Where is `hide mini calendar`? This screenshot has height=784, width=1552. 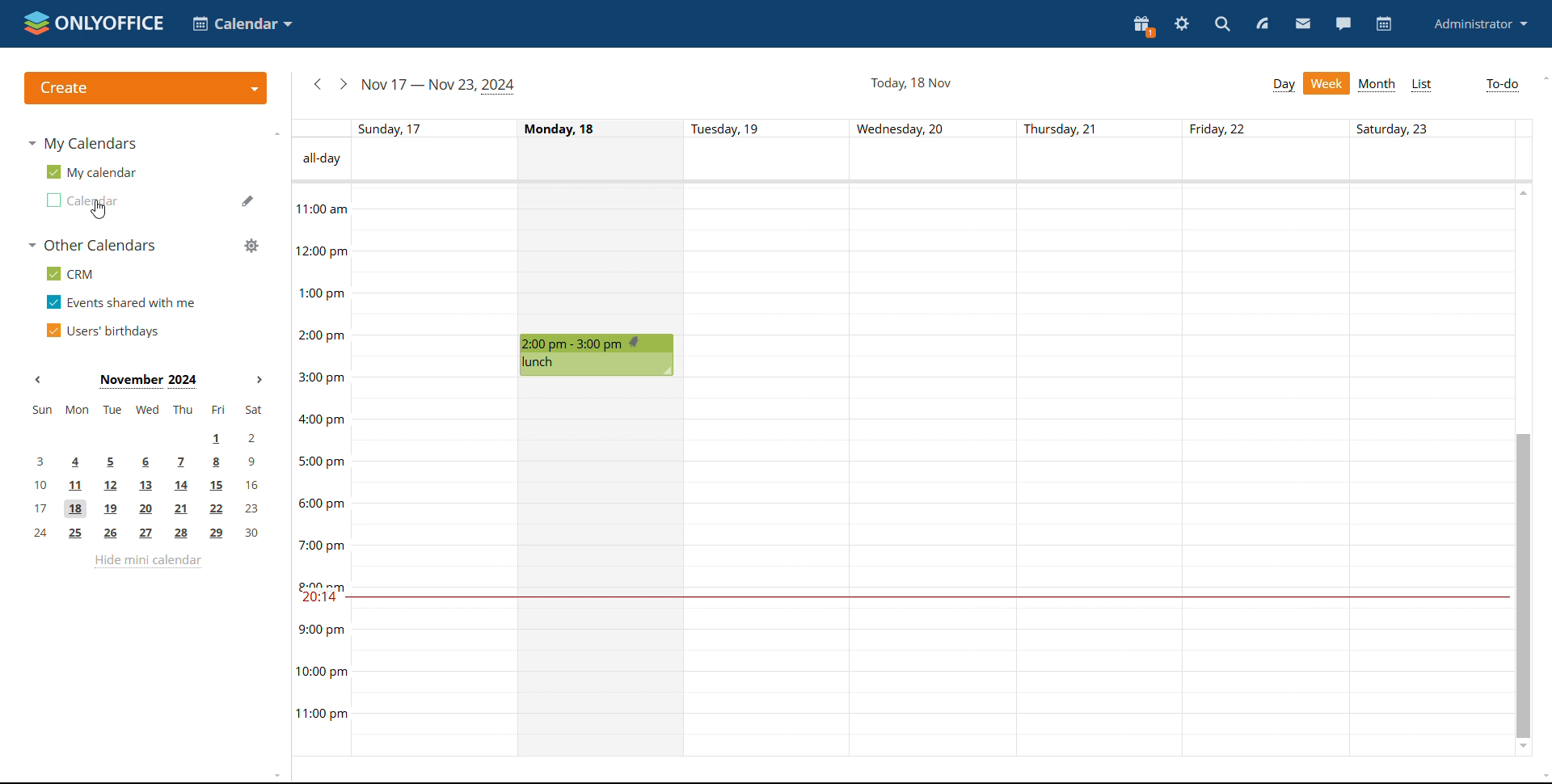
hide mini calendar is located at coordinates (147, 563).